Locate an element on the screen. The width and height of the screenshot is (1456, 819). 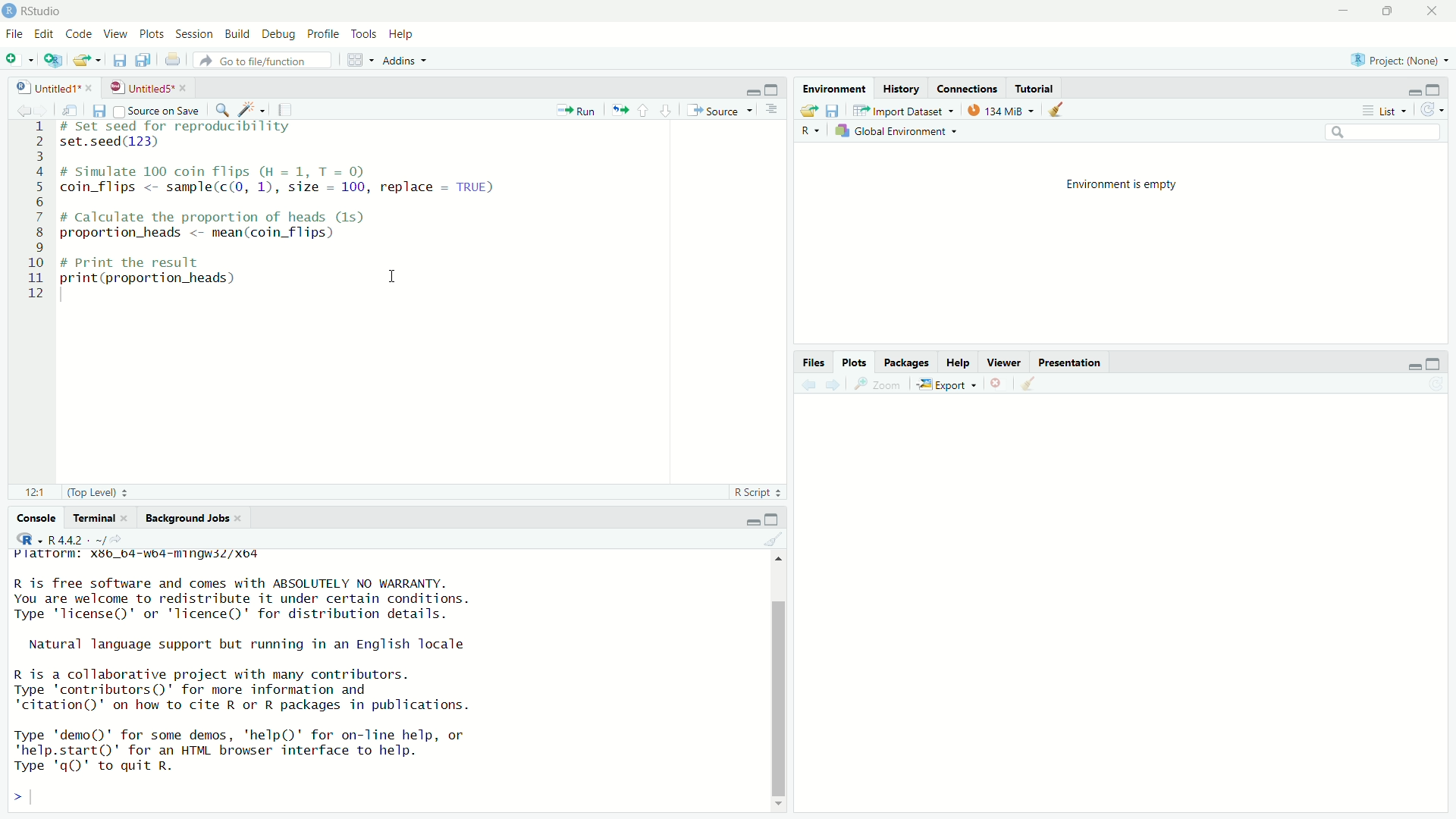
addins is located at coordinates (405, 60).